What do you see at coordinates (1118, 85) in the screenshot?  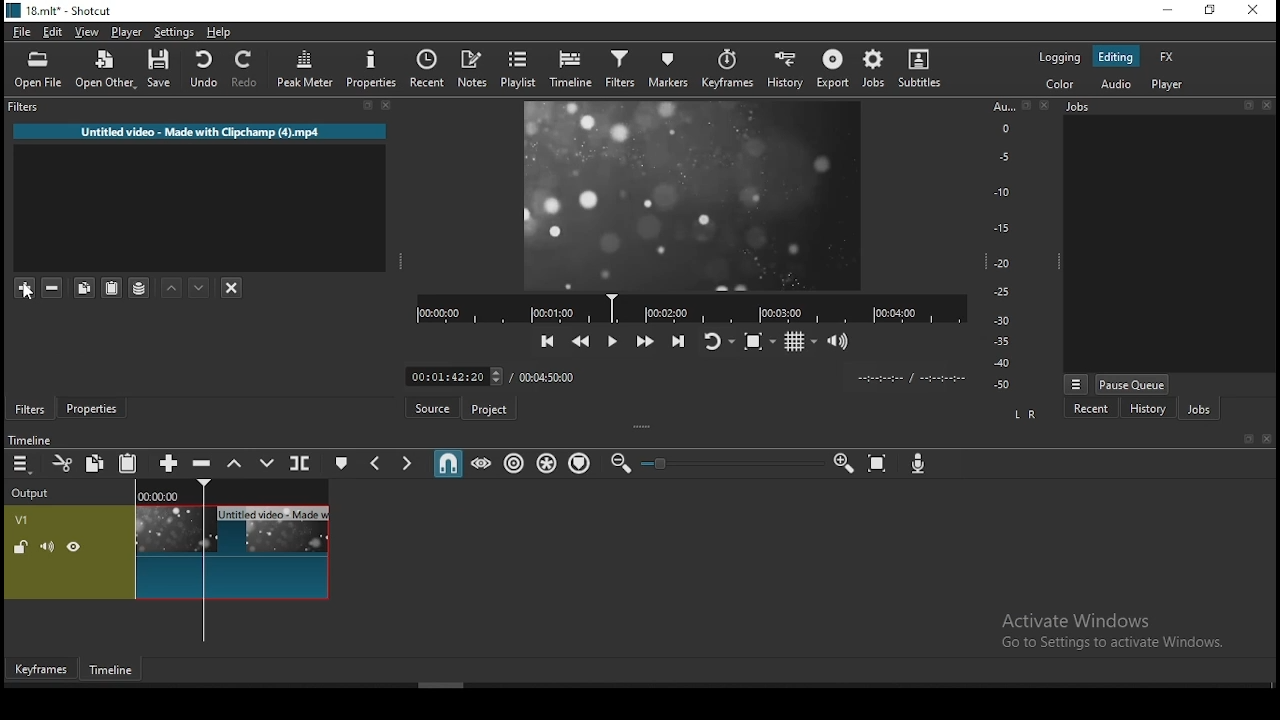 I see `audio` at bounding box center [1118, 85].